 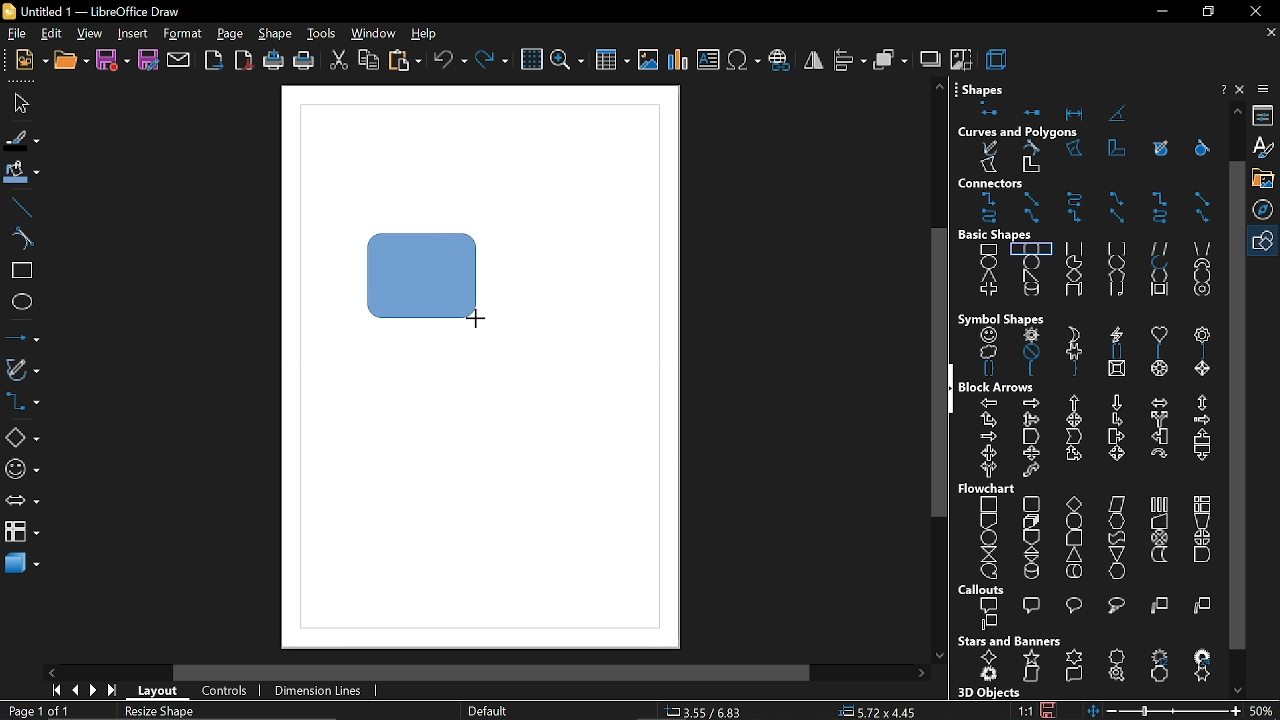 What do you see at coordinates (1092, 668) in the screenshot?
I see `stars and banners` at bounding box center [1092, 668].